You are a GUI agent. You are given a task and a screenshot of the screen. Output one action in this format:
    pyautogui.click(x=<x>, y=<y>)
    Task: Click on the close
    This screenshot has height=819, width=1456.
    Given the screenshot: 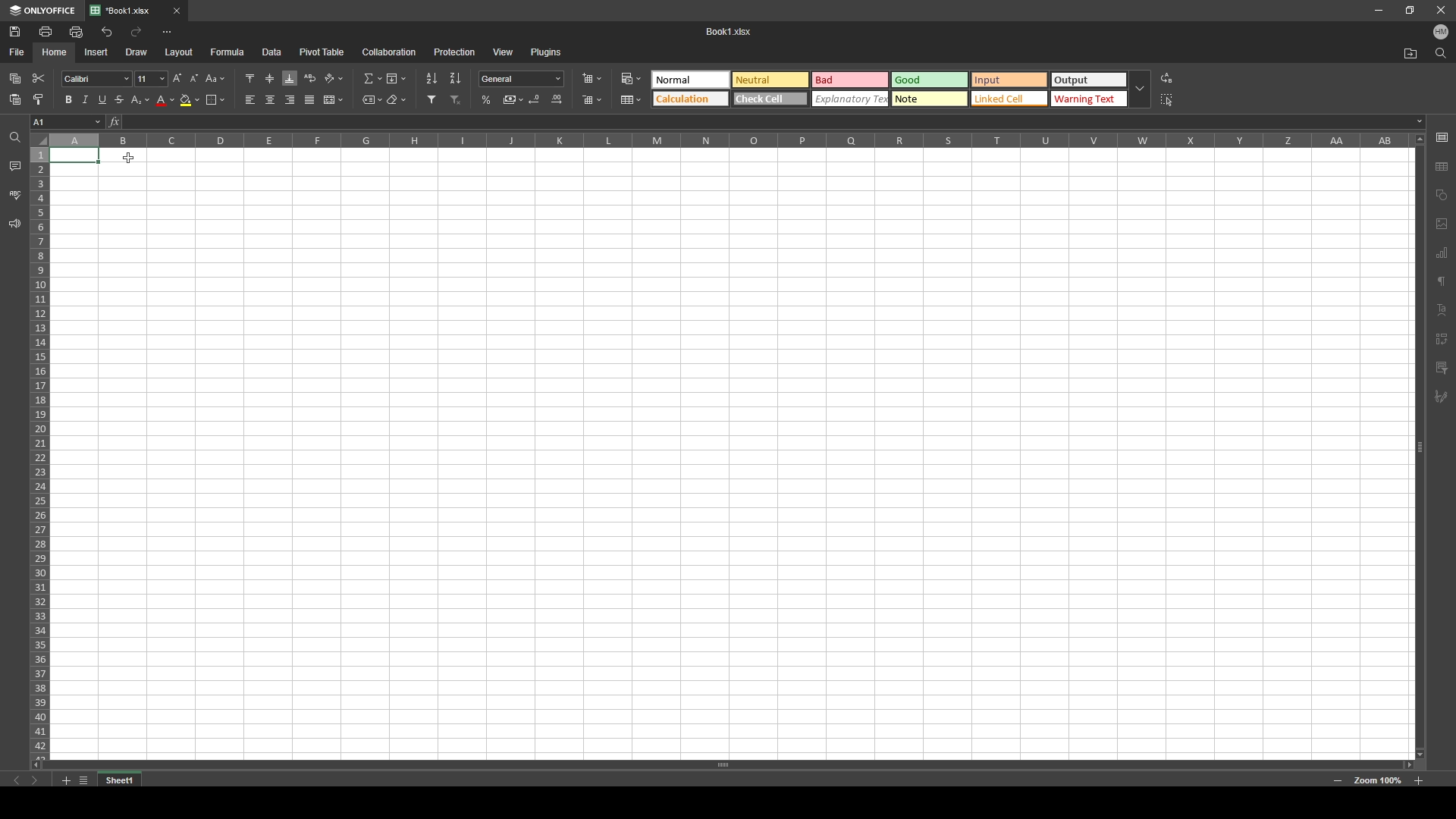 What is the action you would take?
    pyautogui.click(x=1439, y=10)
    